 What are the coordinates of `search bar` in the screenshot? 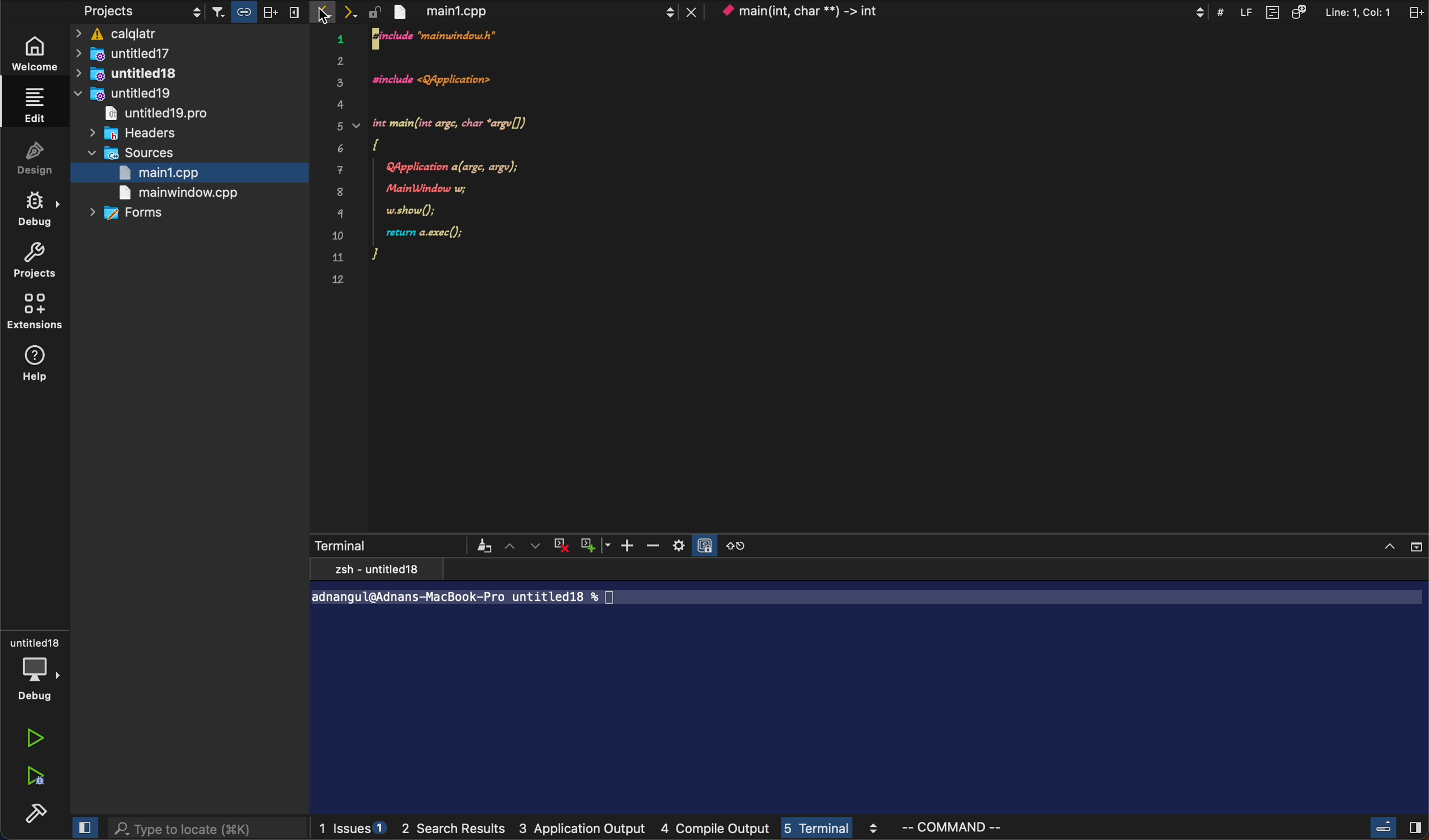 It's located at (206, 828).